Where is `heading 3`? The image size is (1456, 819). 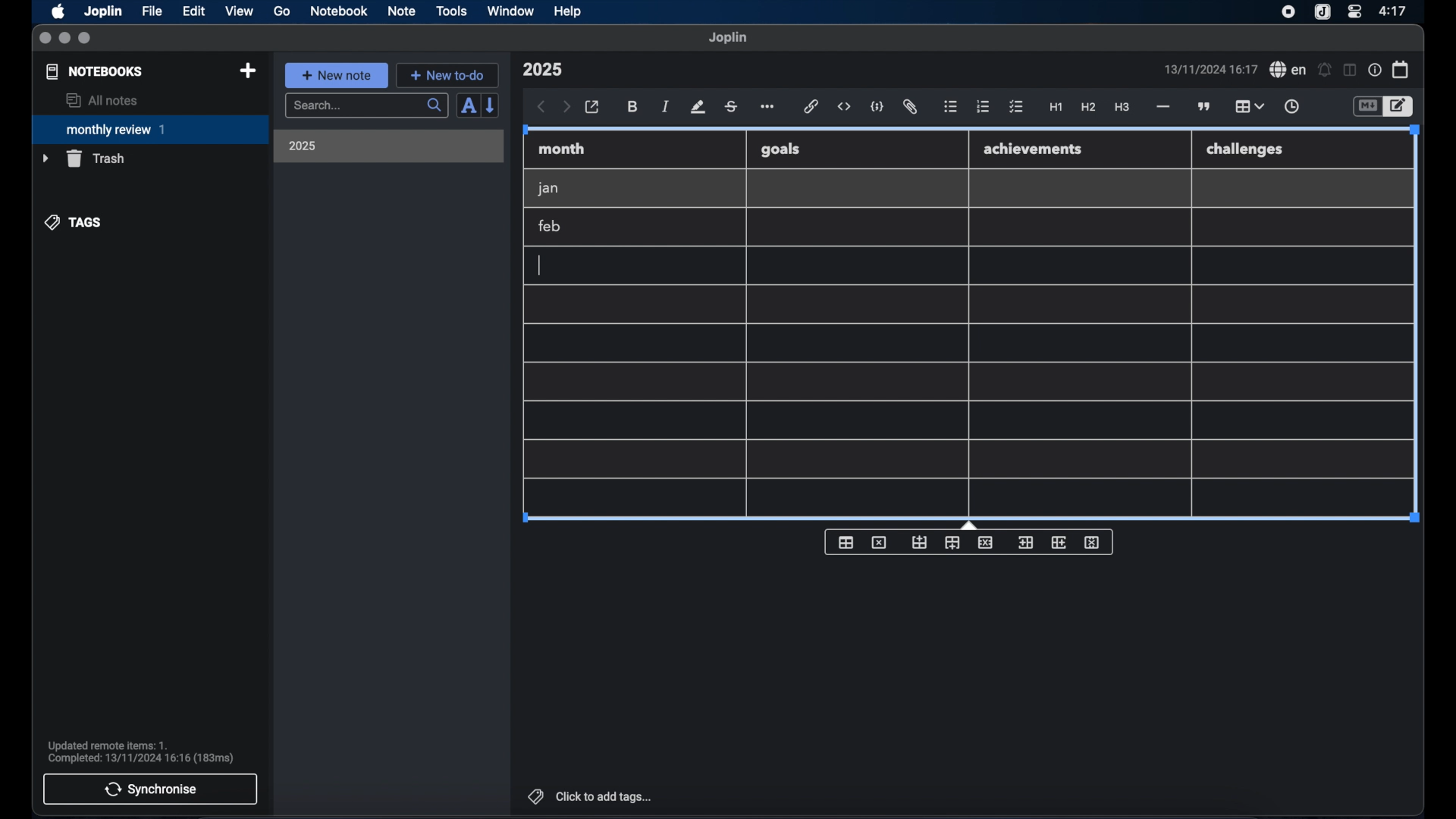
heading 3 is located at coordinates (1122, 108).